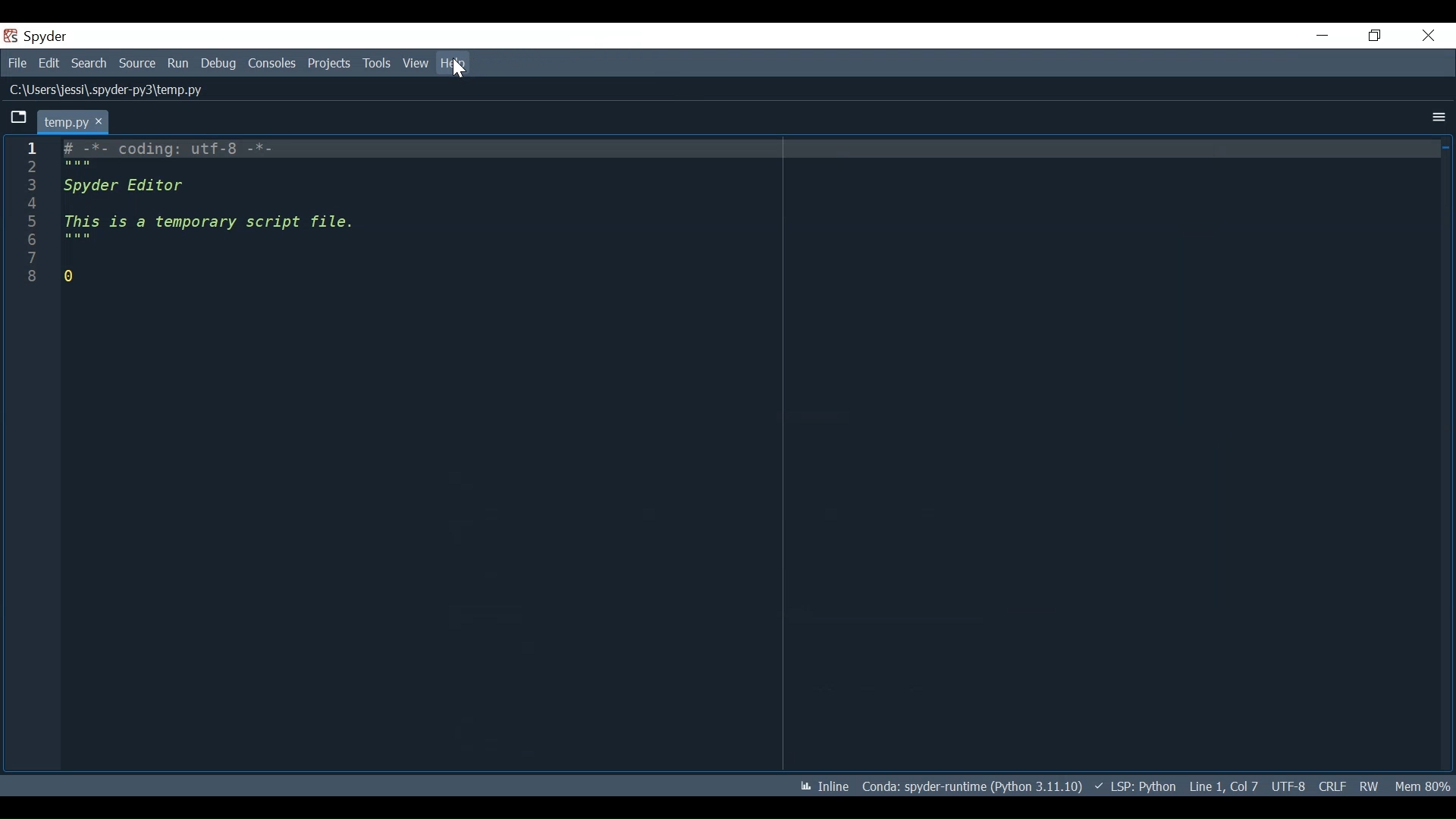 The height and width of the screenshot is (819, 1456). What do you see at coordinates (973, 789) in the screenshot?
I see `Conda: spyder-runtime (Python 3.11.10)` at bounding box center [973, 789].